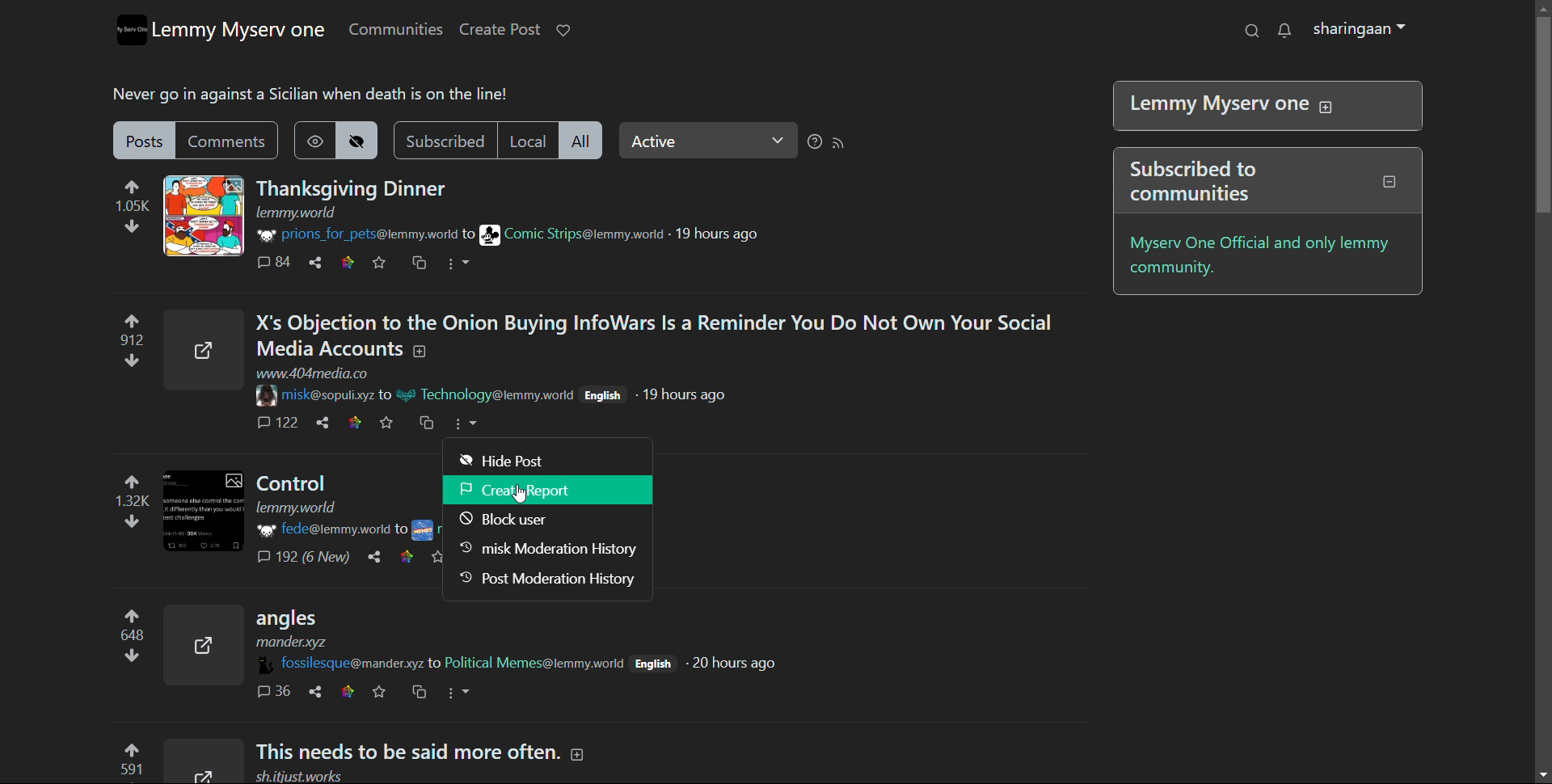 The width and height of the screenshot is (1552, 784). Describe the element at coordinates (654, 337) in the screenshot. I see `Post on "X's Objection to the Onion Buying InfoWars Is a Reminder You Do Not Own Your SocialMedia Accounts"` at that location.